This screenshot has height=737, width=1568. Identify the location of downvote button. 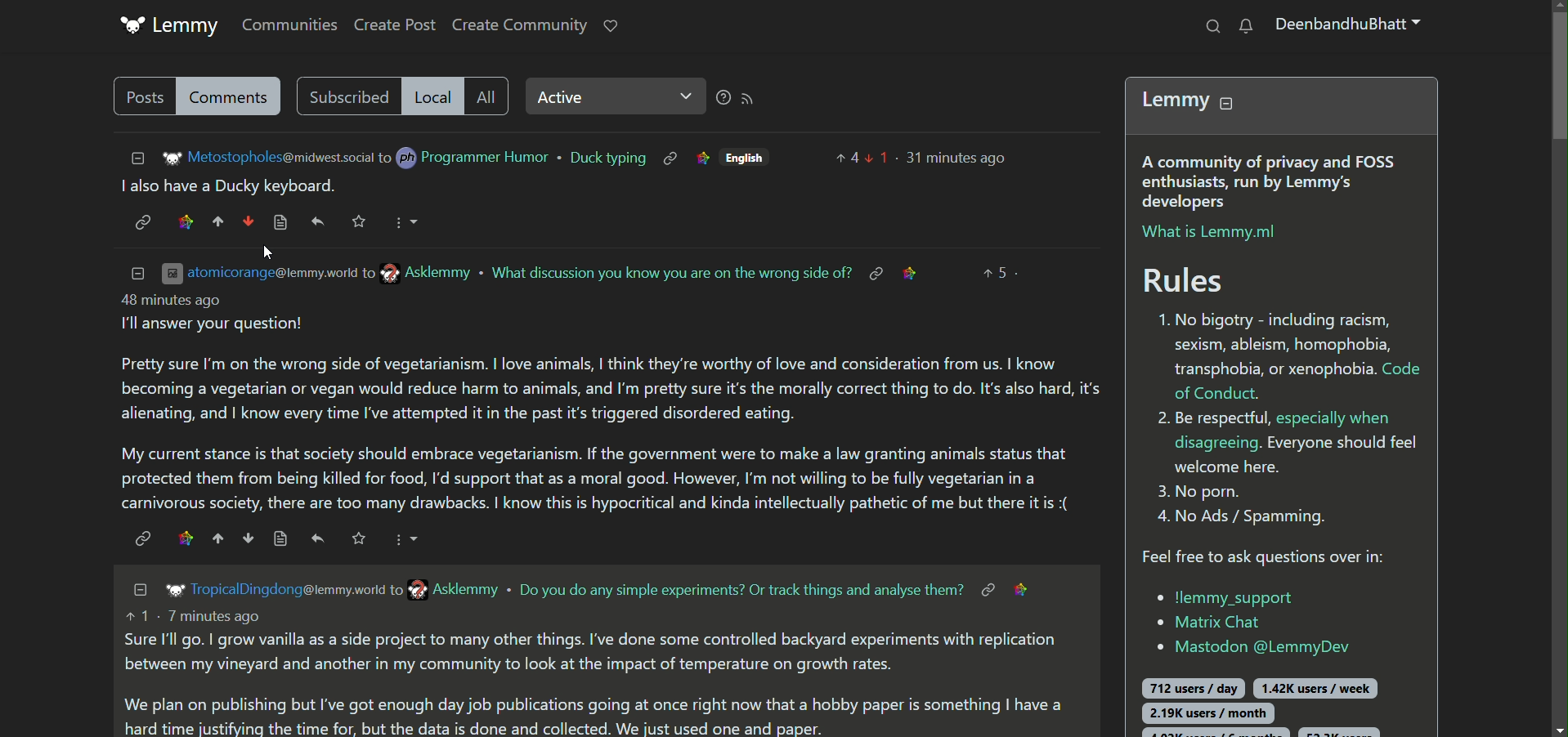
(248, 221).